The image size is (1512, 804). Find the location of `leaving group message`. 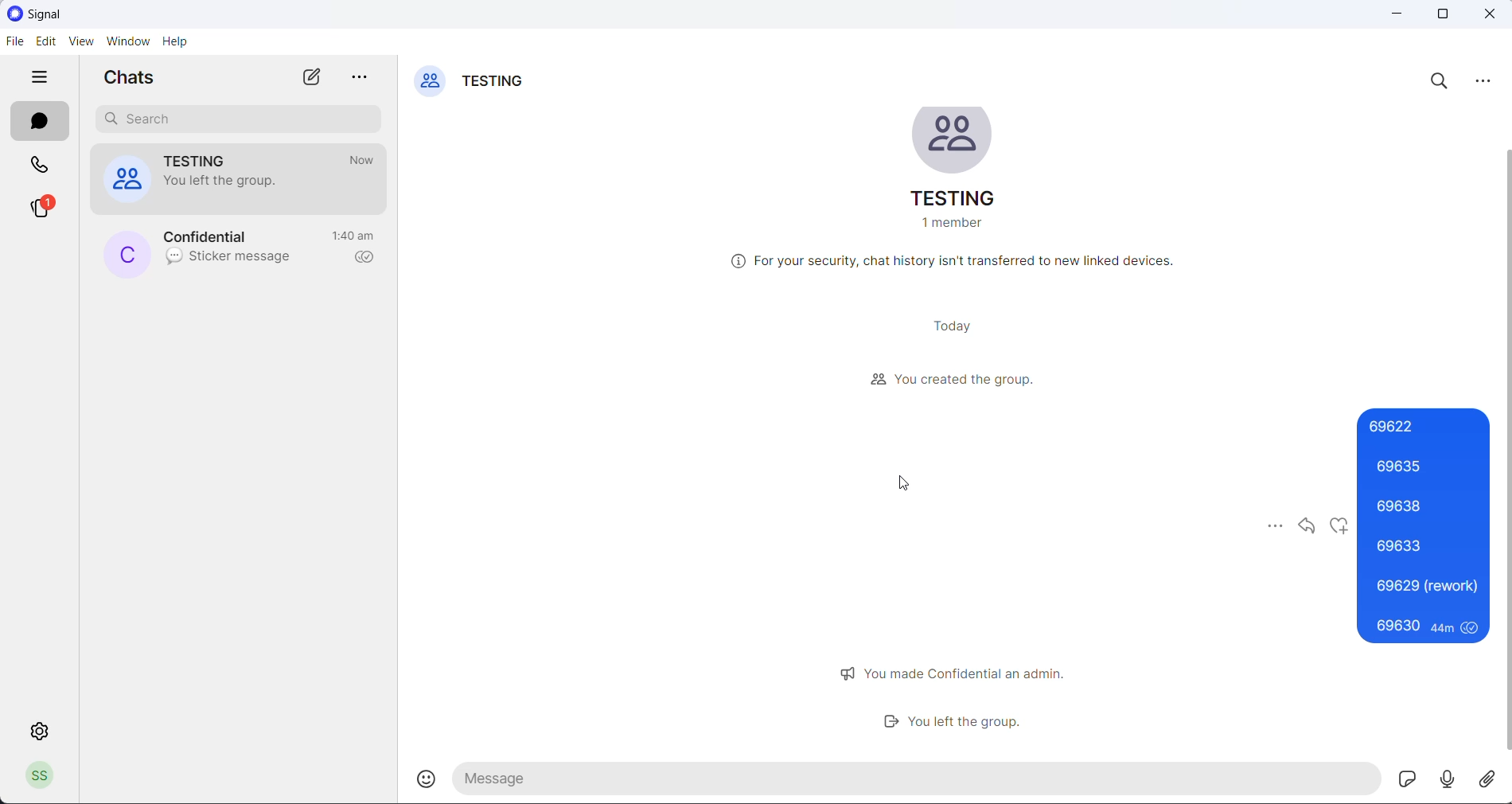

leaving group message is located at coordinates (226, 181).